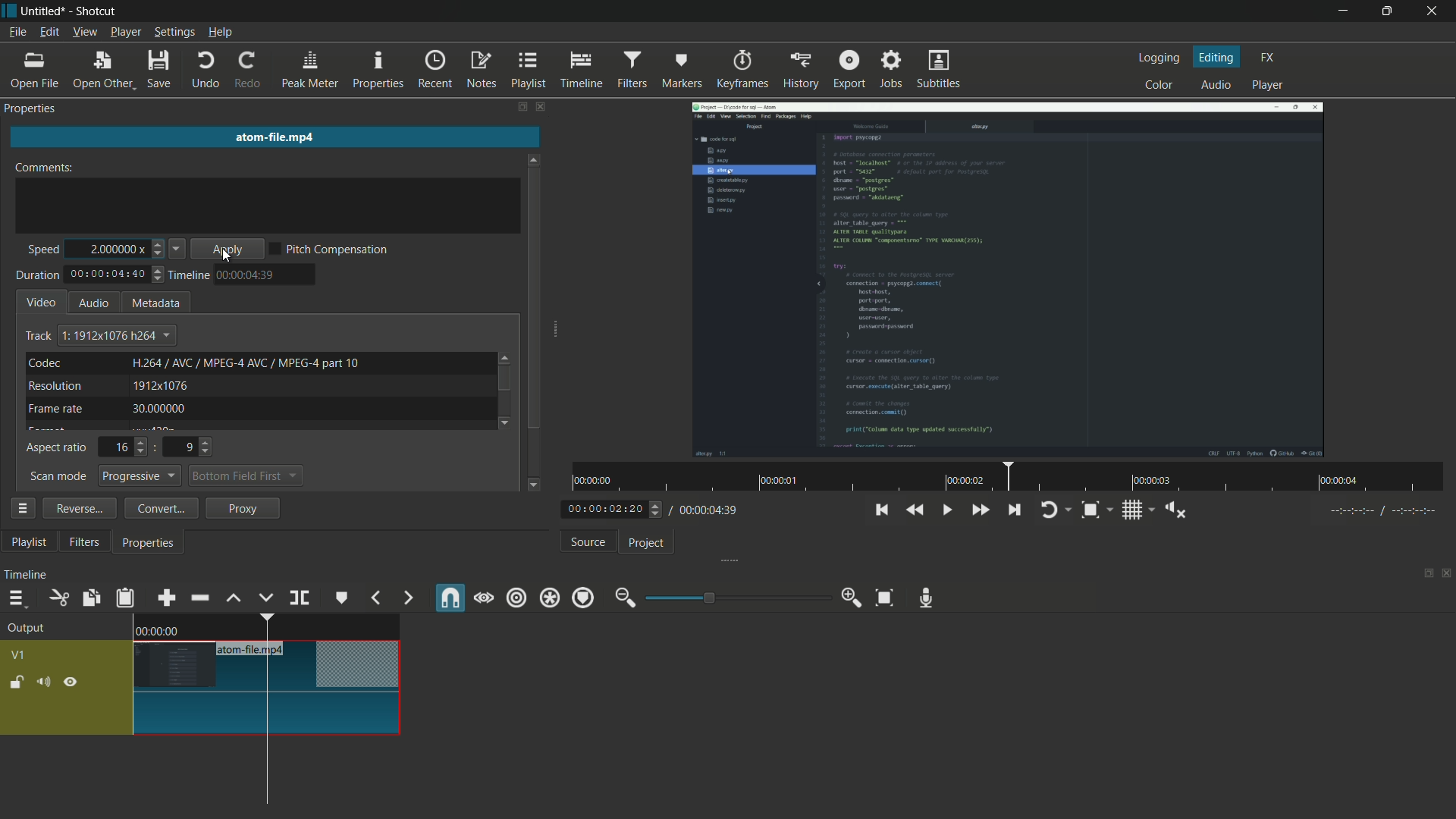 Image resolution: width=1456 pixels, height=819 pixels. I want to click on imported file name, so click(272, 135).